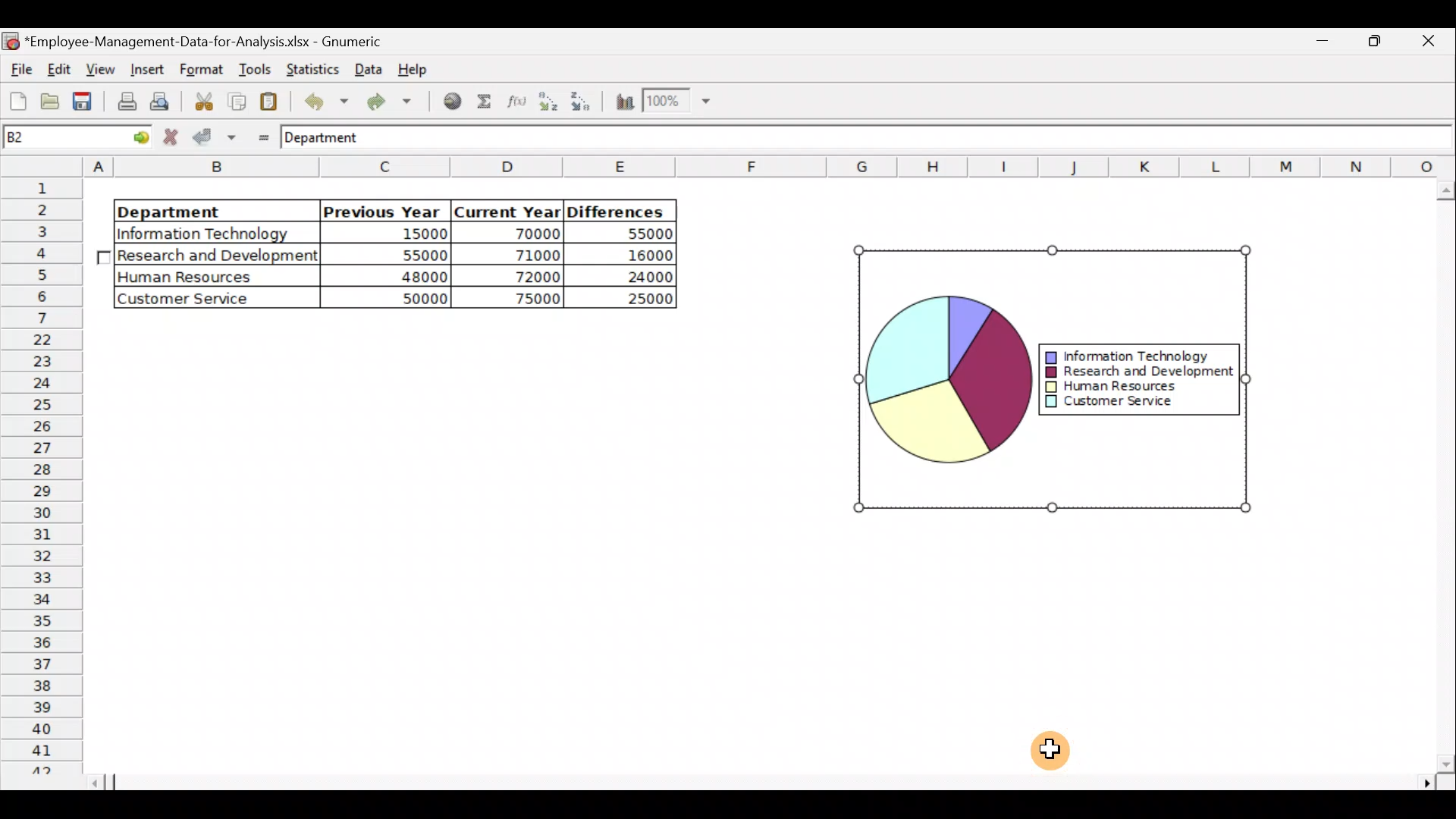 This screenshot has width=1456, height=819. I want to click on Gnumeric logo, so click(11, 40).